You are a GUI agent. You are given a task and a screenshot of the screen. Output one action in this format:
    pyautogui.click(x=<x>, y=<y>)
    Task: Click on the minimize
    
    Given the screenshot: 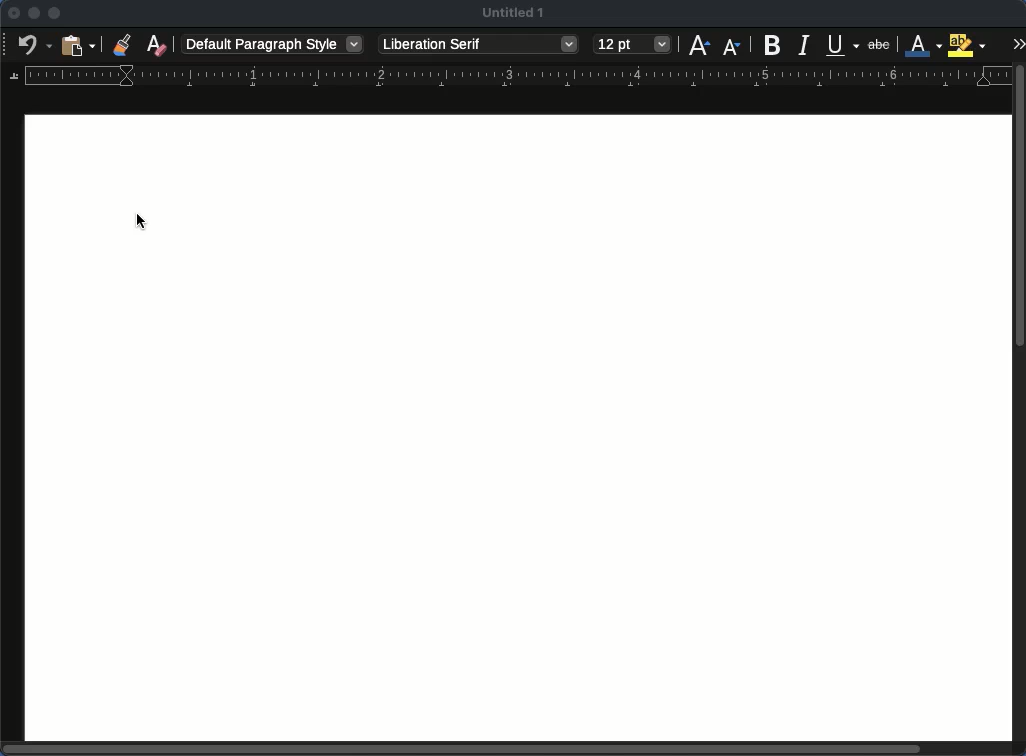 What is the action you would take?
    pyautogui.click(x=33, y=14)
    